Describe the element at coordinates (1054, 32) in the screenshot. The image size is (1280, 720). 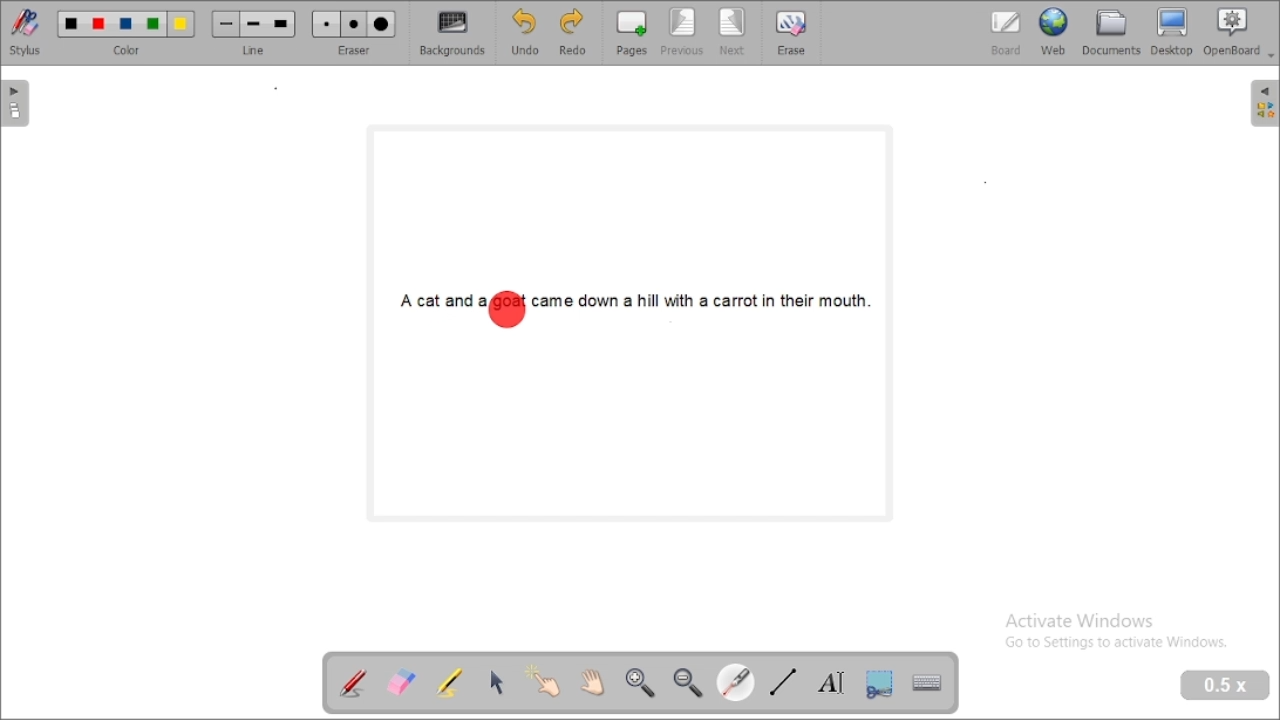
I see `web` at that location.